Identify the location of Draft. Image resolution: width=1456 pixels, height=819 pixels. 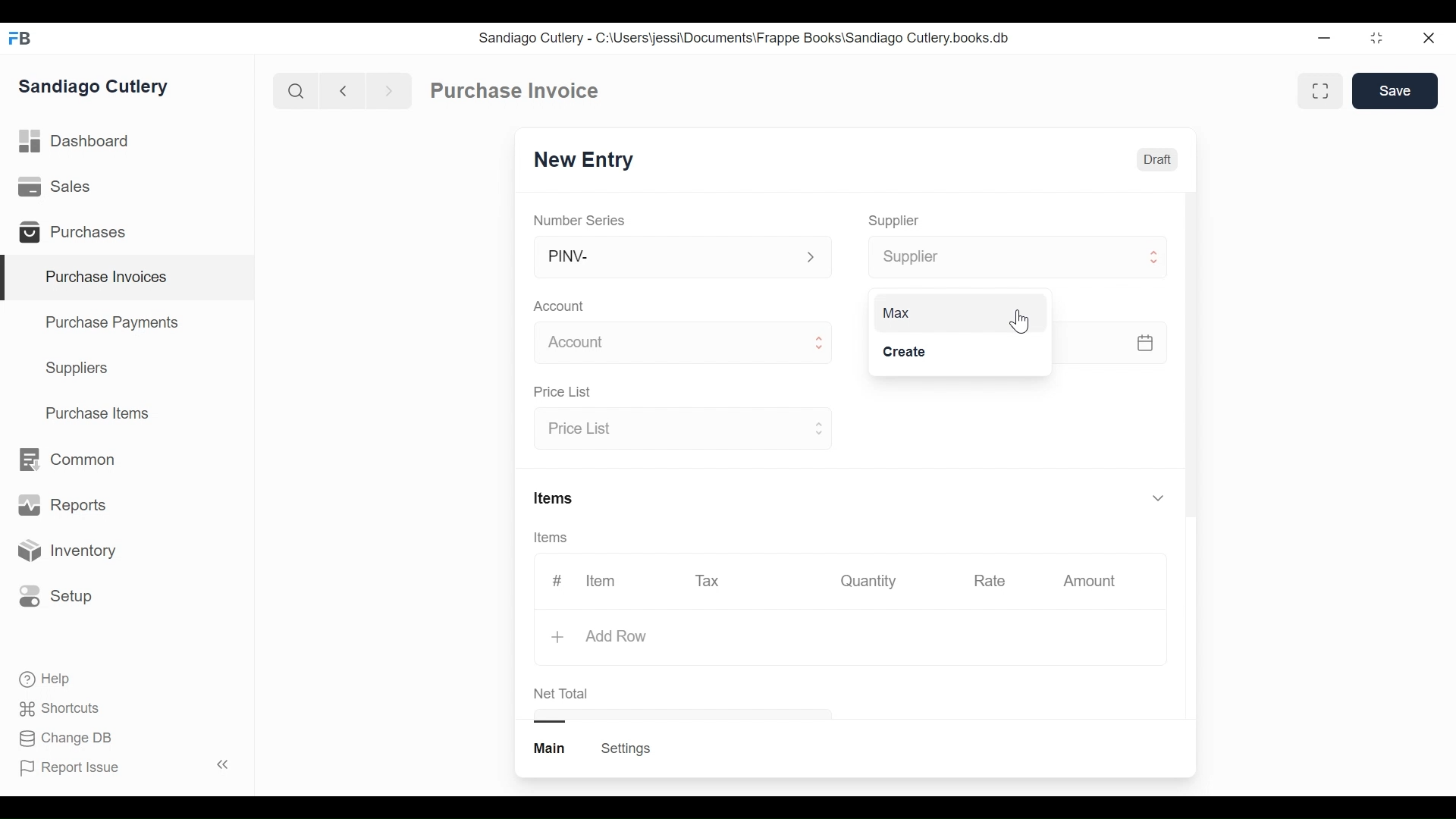
(1158, 162).